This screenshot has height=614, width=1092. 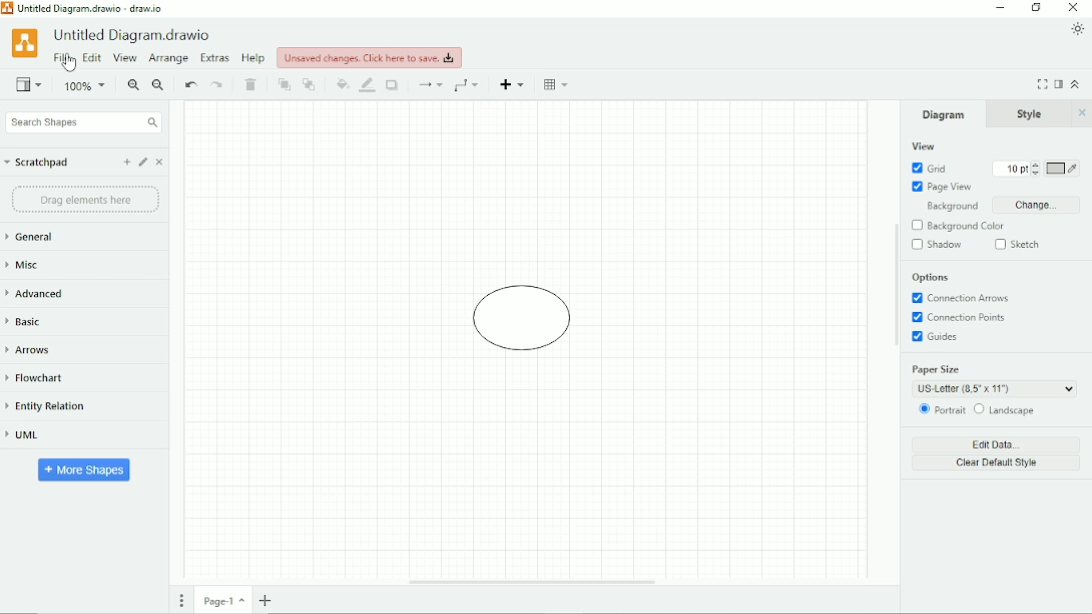 I want to click on Flowchart, so click(x=38, y=377).